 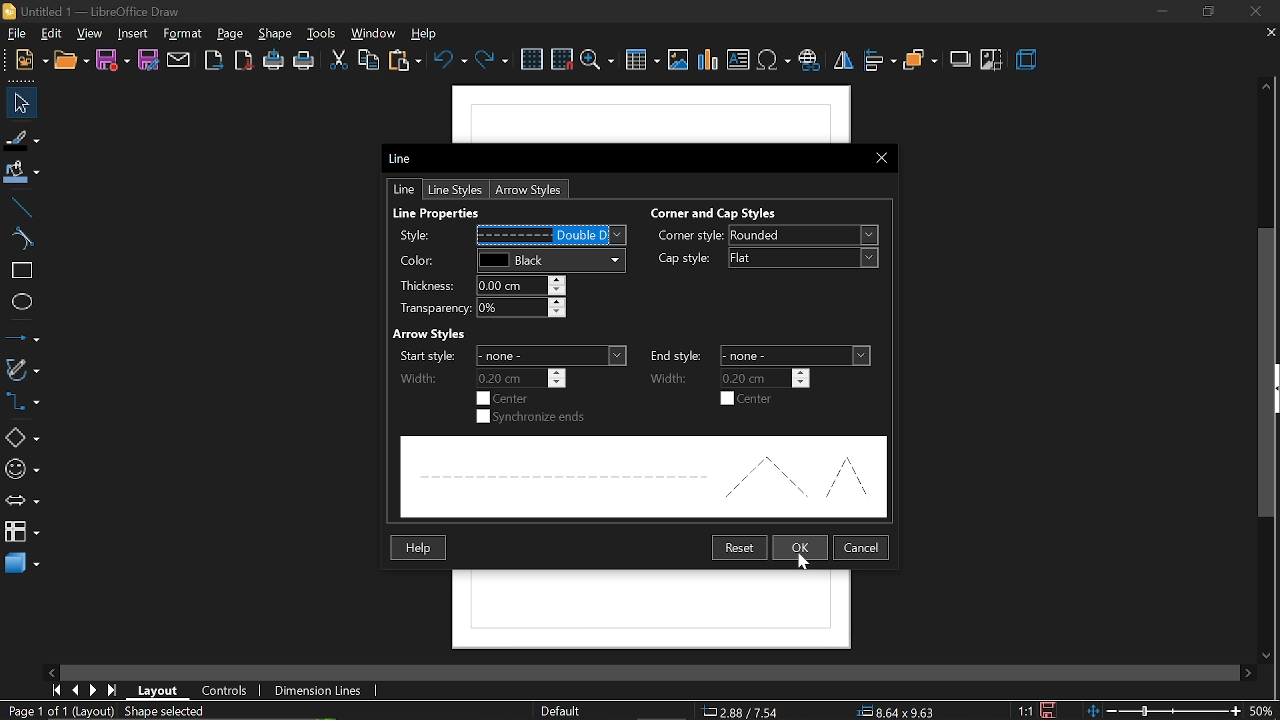 What do you see at coordinates (404, 63) in the screenshot?
I see `paste` at bounding box center [404, 63].